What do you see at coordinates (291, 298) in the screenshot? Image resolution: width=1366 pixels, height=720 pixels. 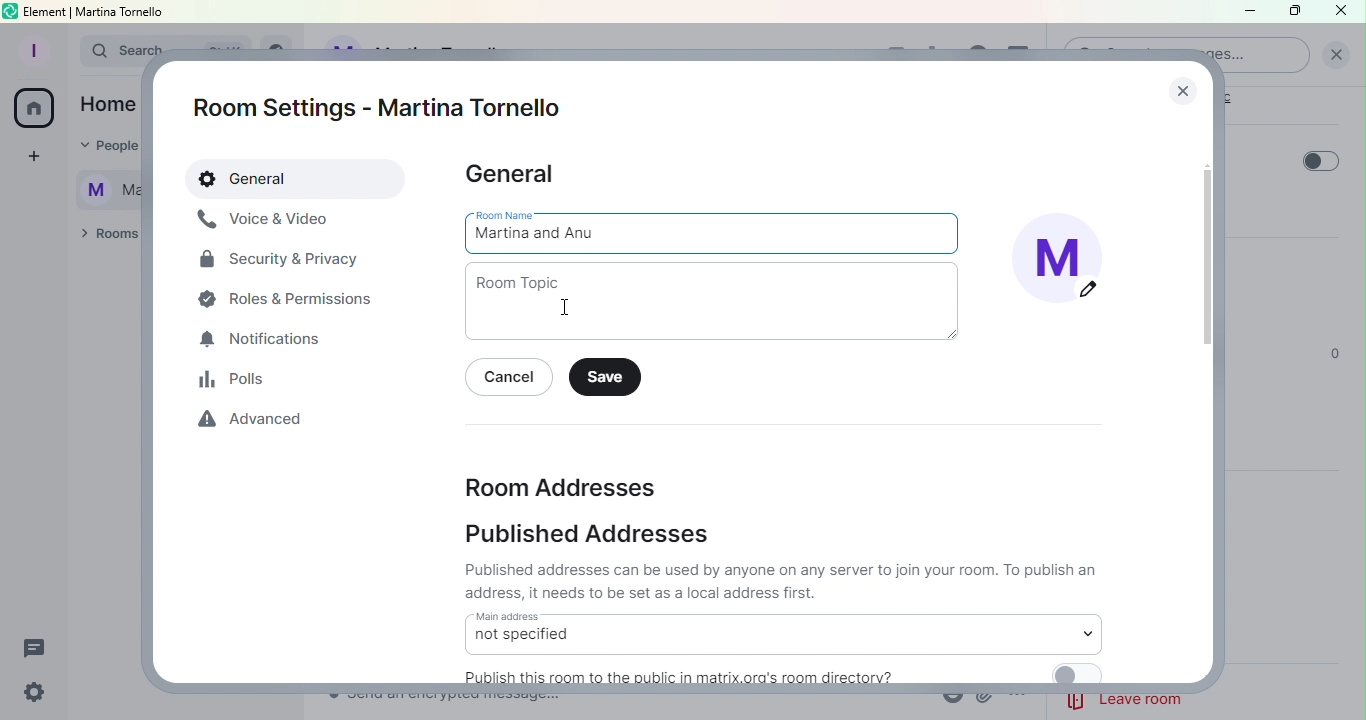 I see `Roles and permissions` at bounding box center [291, 298].